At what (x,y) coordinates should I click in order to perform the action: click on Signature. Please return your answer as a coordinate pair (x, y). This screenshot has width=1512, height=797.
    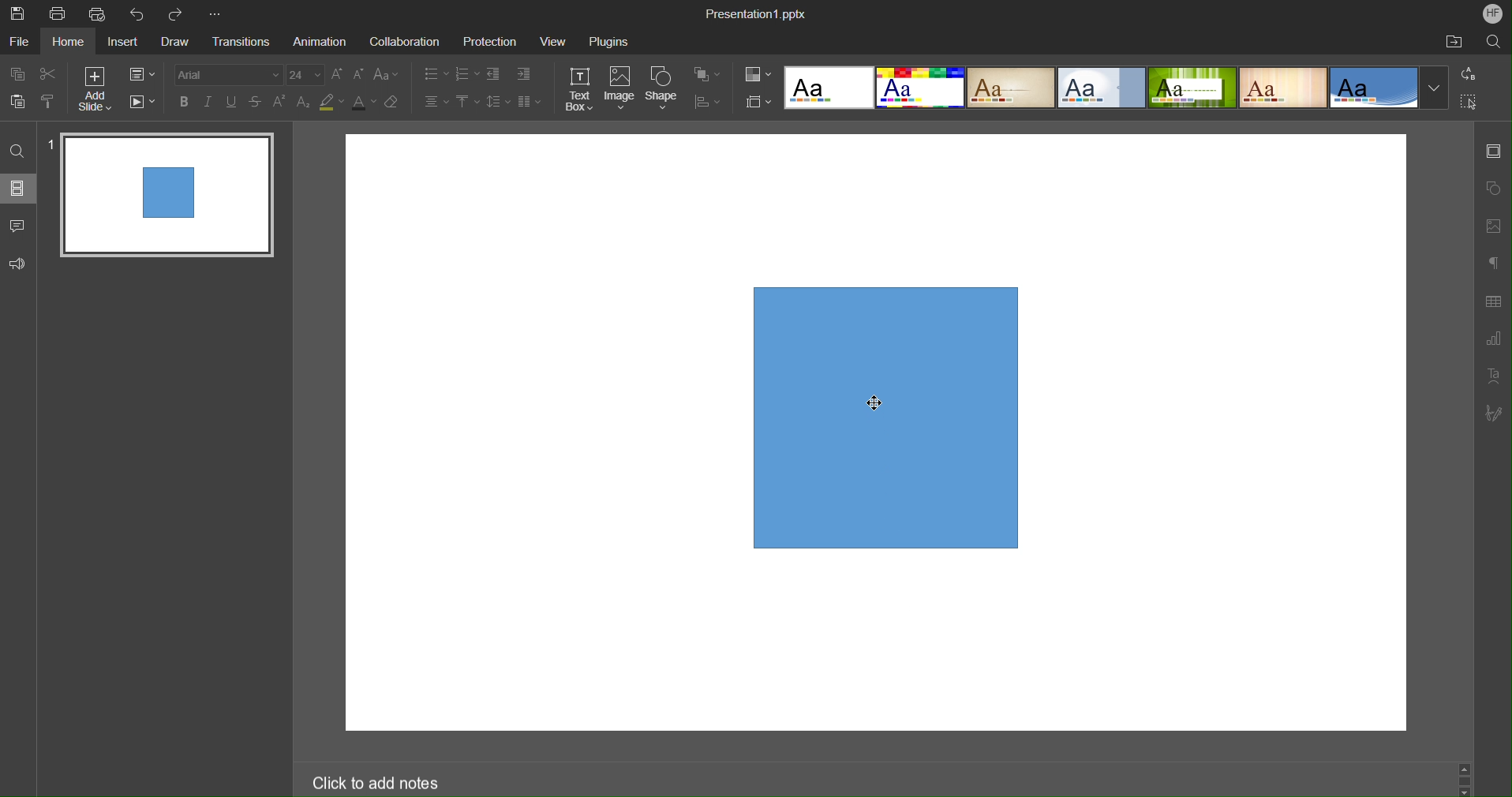
    Looking at the image, I should click on (1495, 413).